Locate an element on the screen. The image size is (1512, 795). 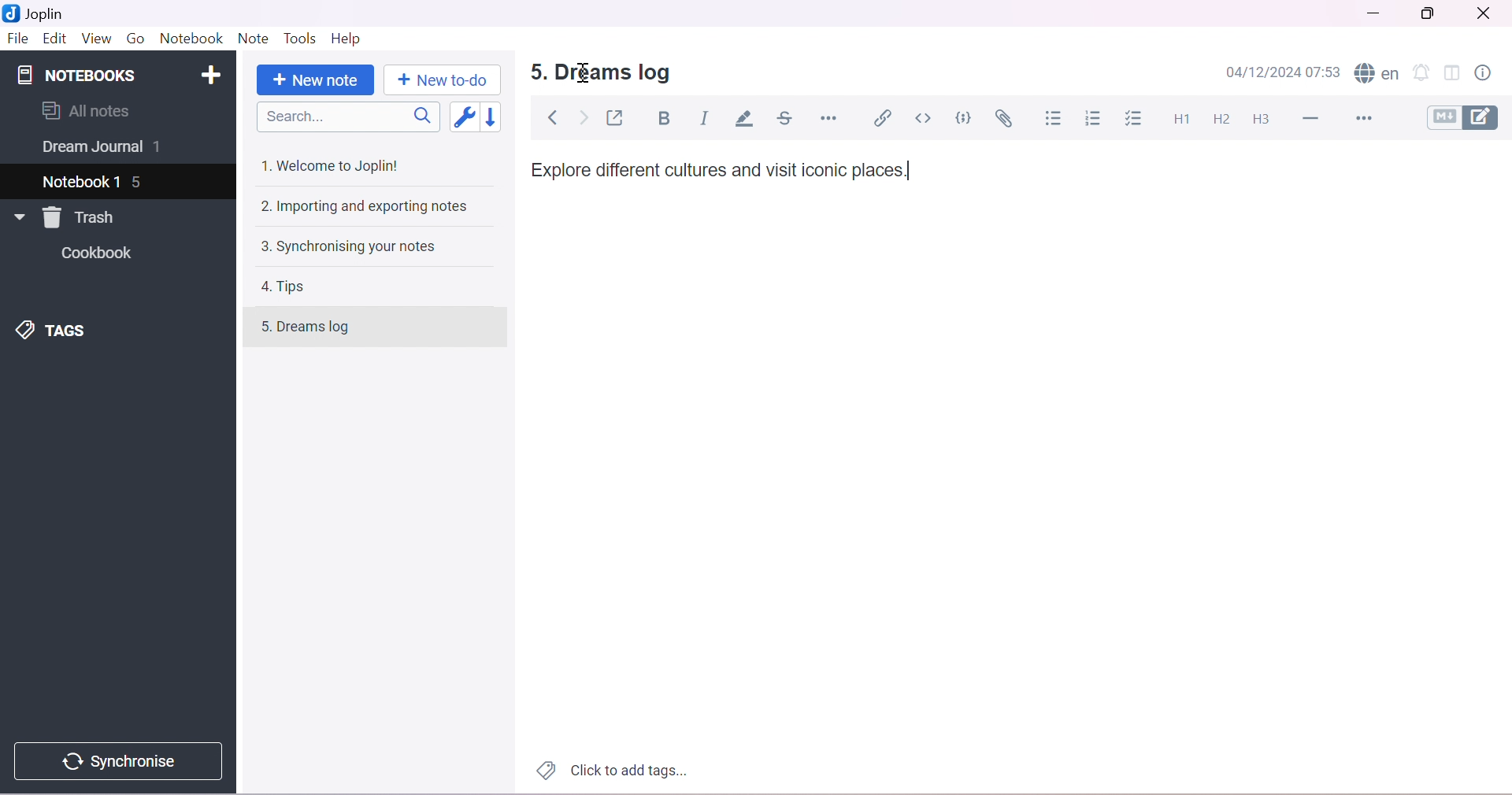
Cursor is located at coordinates (584, 73).